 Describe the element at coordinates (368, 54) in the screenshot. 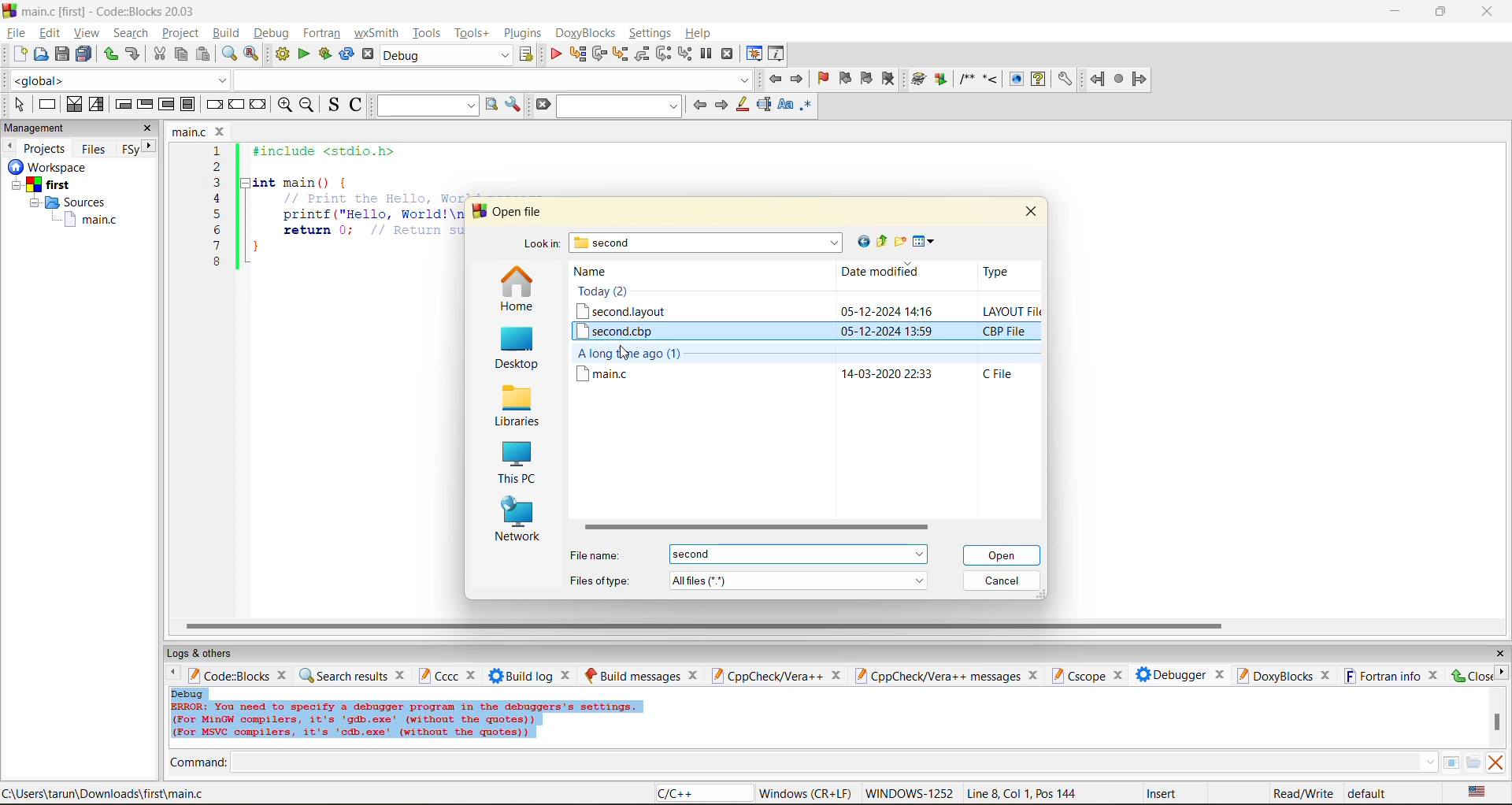

I see `abort` at that location.